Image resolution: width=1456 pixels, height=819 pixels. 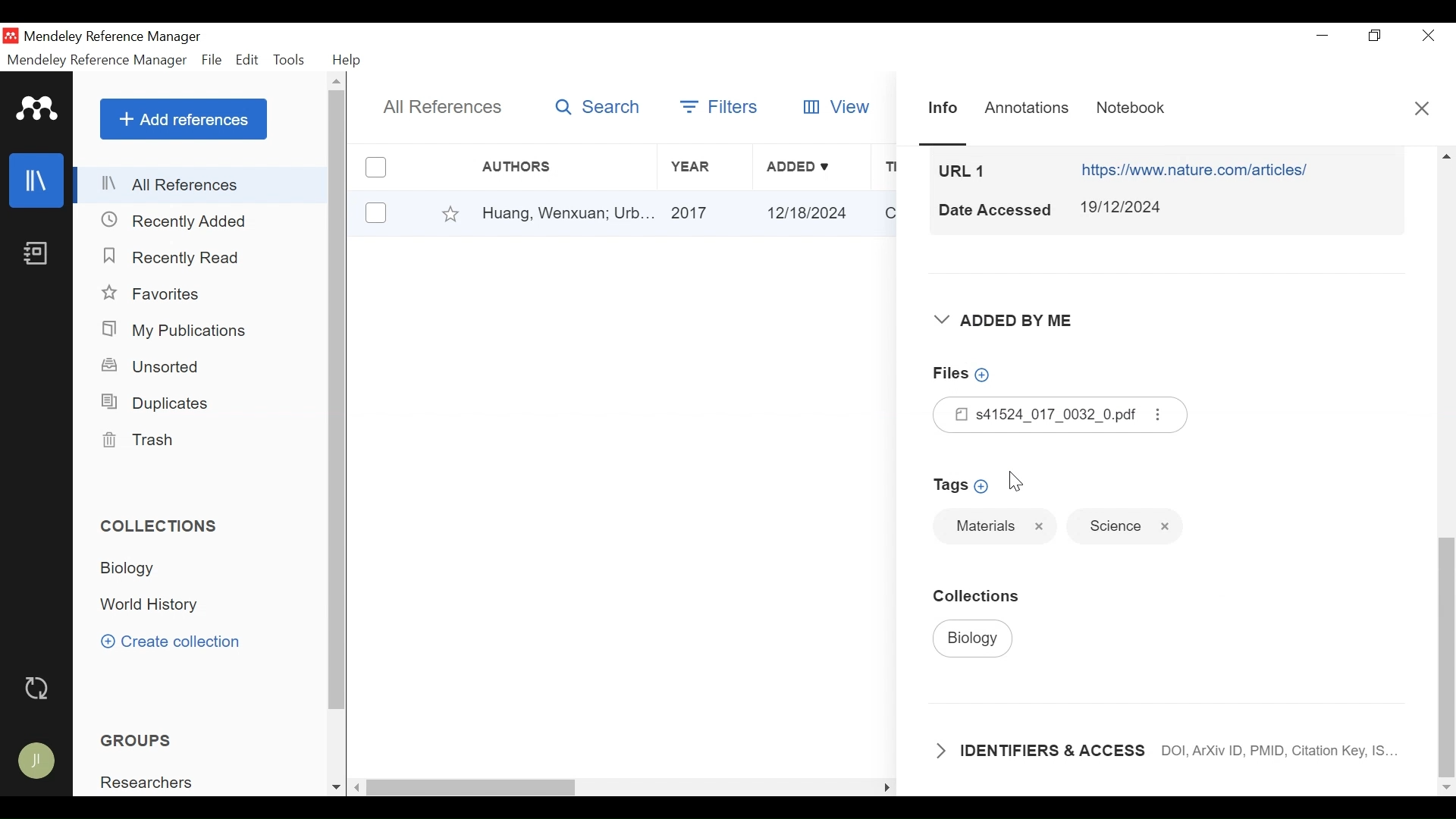 What do you see at coordinates (1172, 751) in the screenshot?
I see `> IDENTIFIERS & ACCESS DOI, ArXiv ID, PMID, Citation Key, IS...` at bounding box center [1172, 751].